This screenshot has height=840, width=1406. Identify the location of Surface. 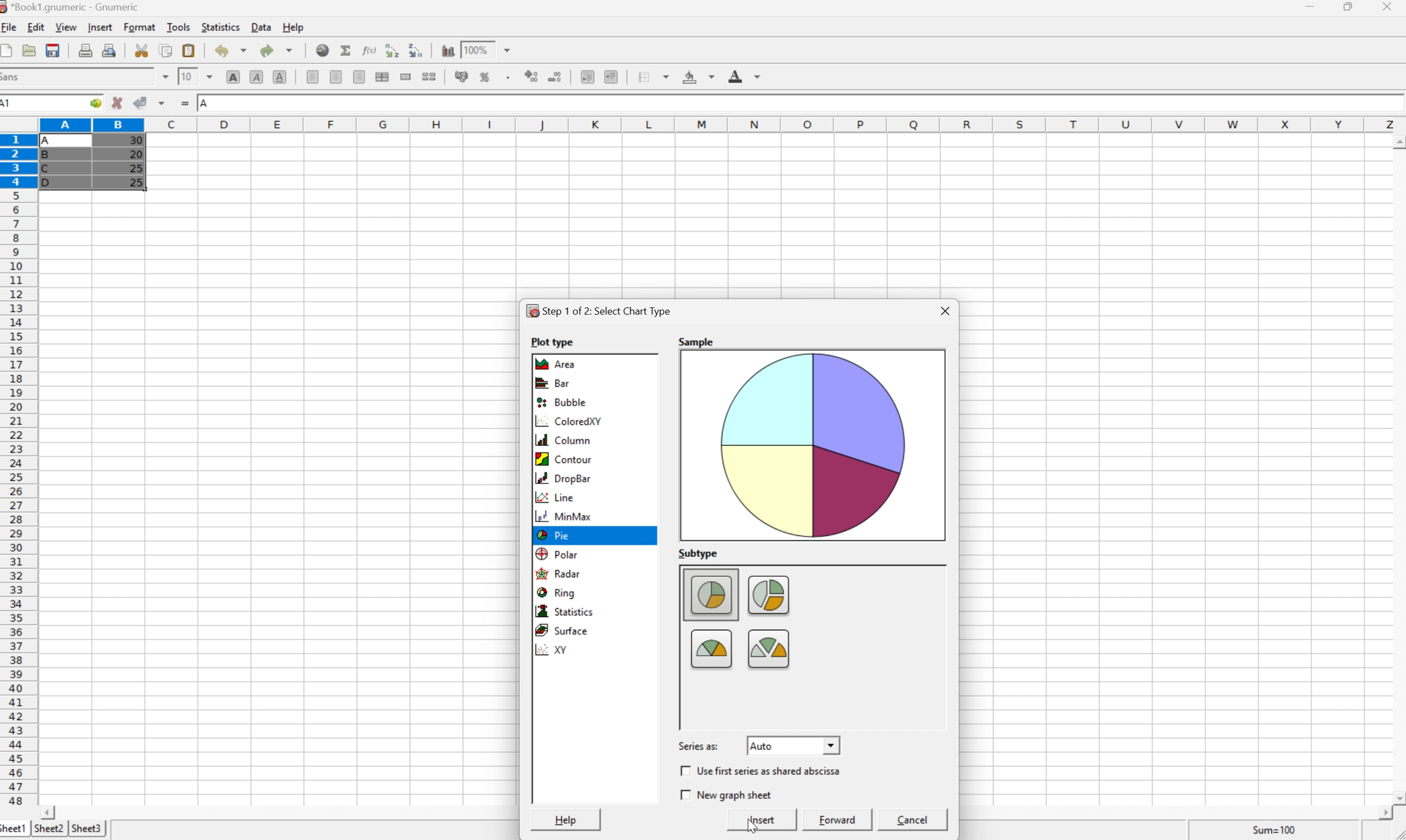
(561, 631).